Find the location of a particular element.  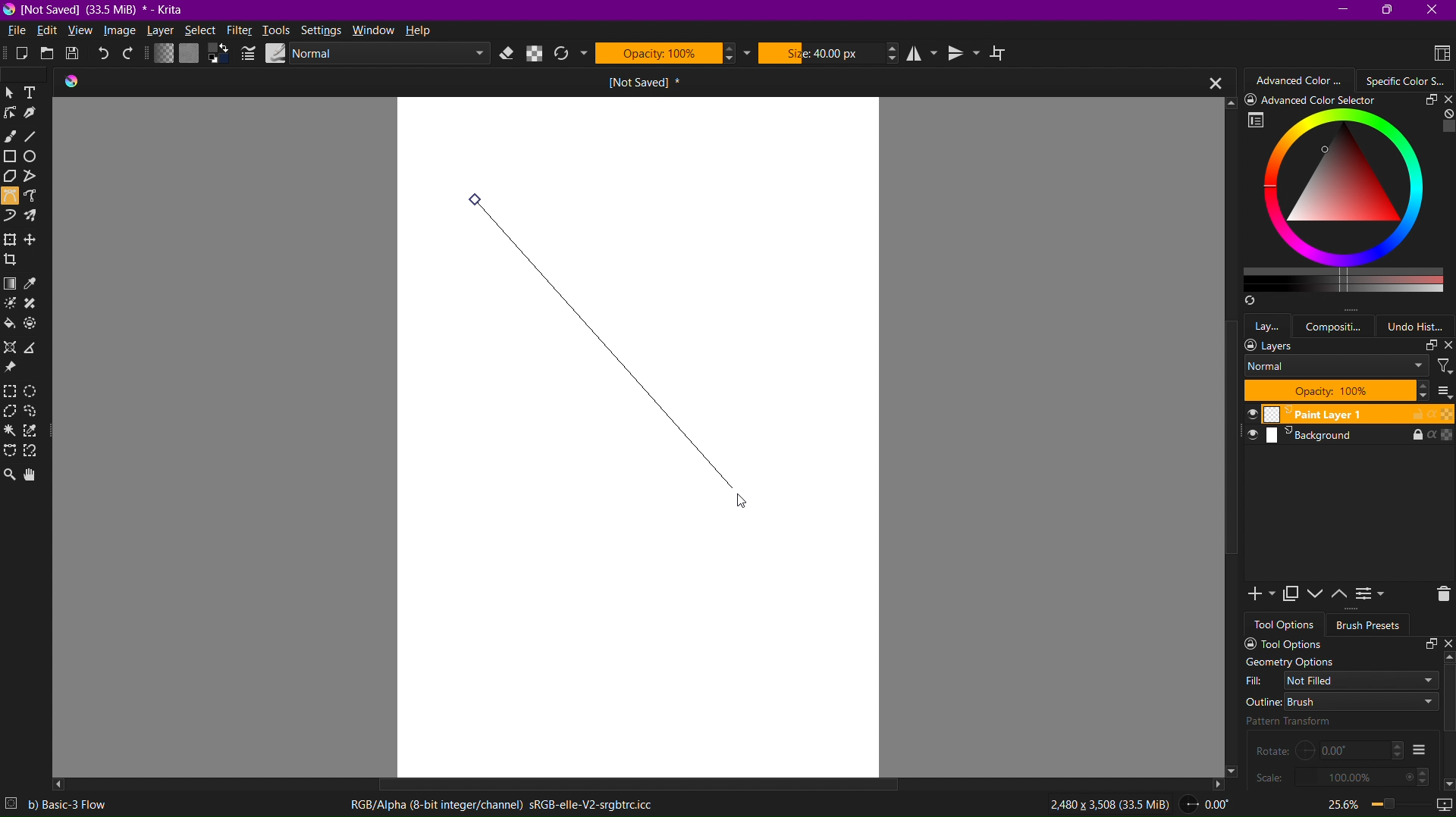

Options is located at coordinates (1419, 750).